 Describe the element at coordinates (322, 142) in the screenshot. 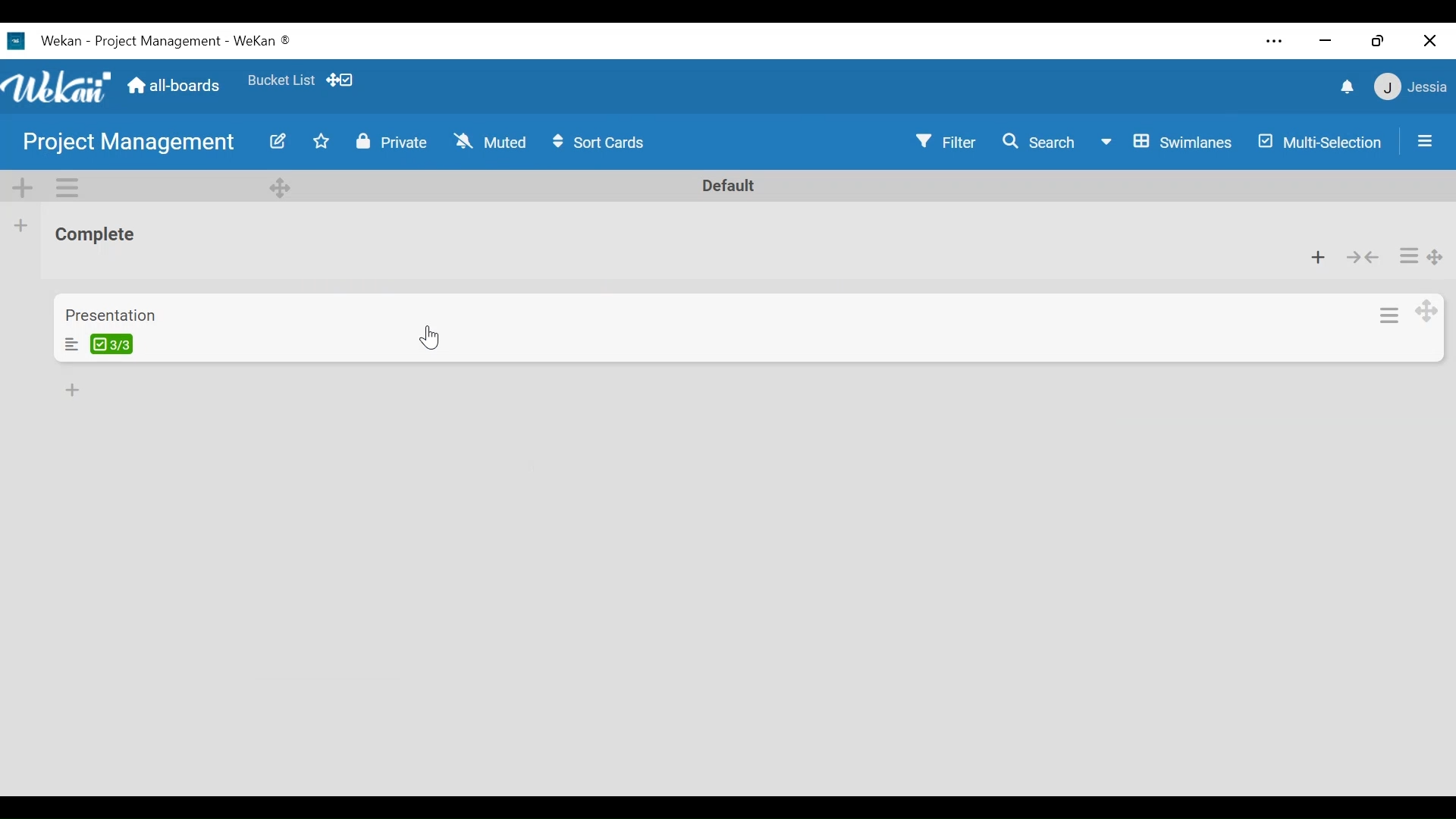

I see `Toggle favorites` at that location.